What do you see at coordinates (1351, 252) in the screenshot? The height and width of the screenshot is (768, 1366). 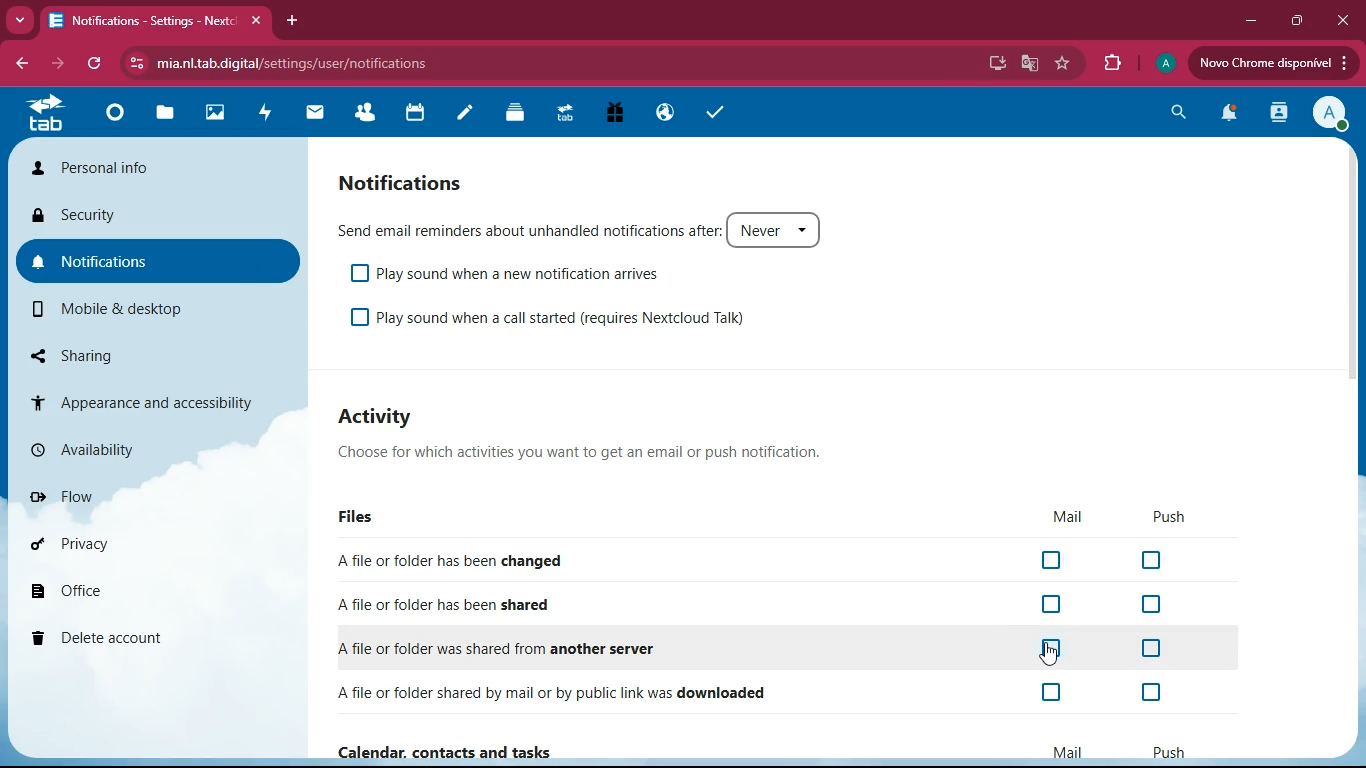 I see `scroll bar` at bounding box center [1351, 252].